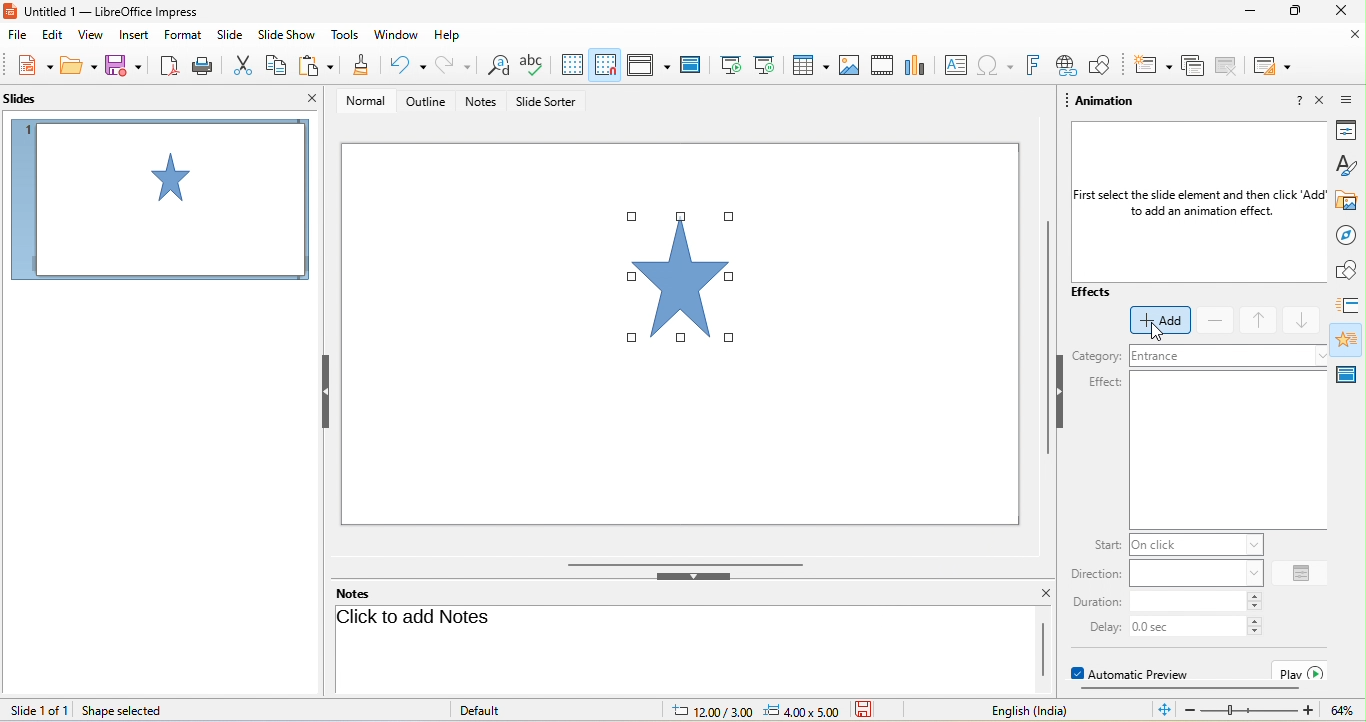 The image size is (1366, 722). Describe the element at coordinates (646, 64) in the screenshot. I see `display view` at that location.